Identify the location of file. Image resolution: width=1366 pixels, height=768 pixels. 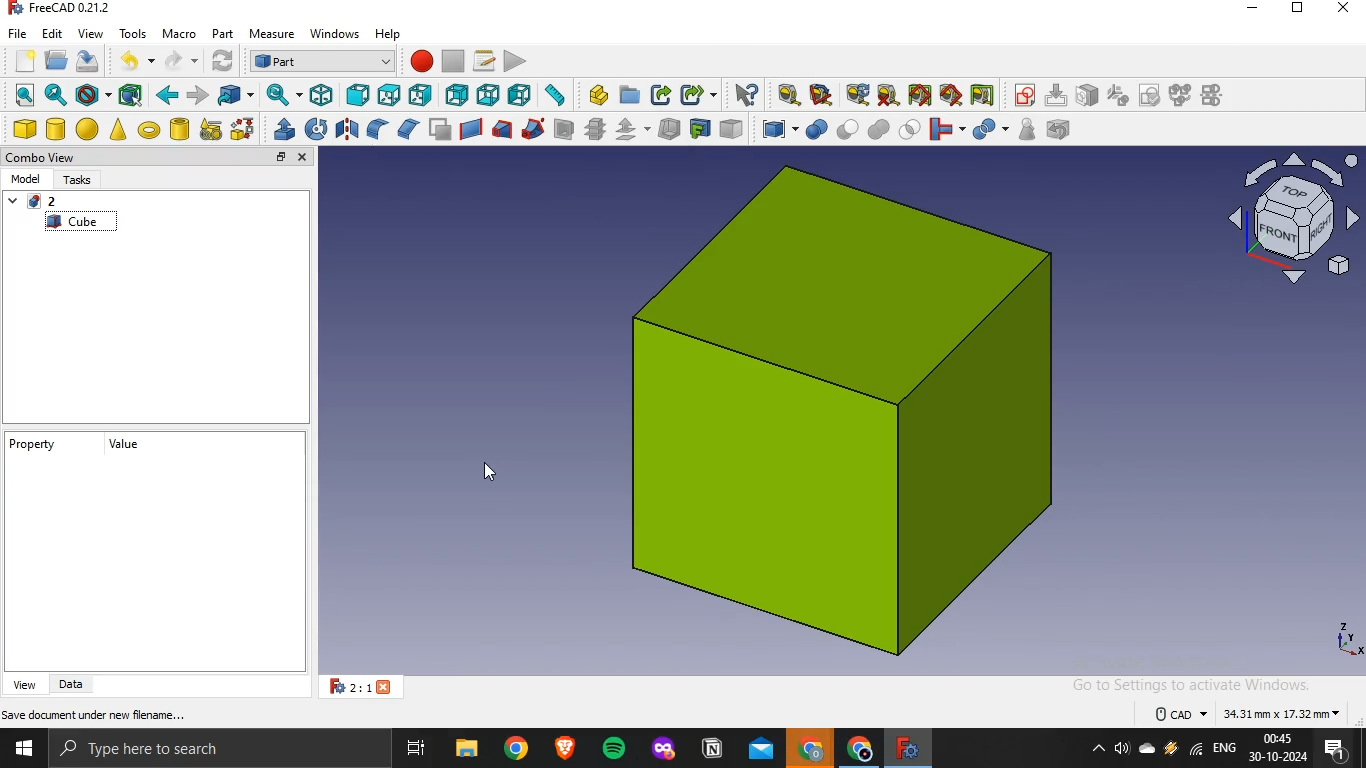
(18, 34).